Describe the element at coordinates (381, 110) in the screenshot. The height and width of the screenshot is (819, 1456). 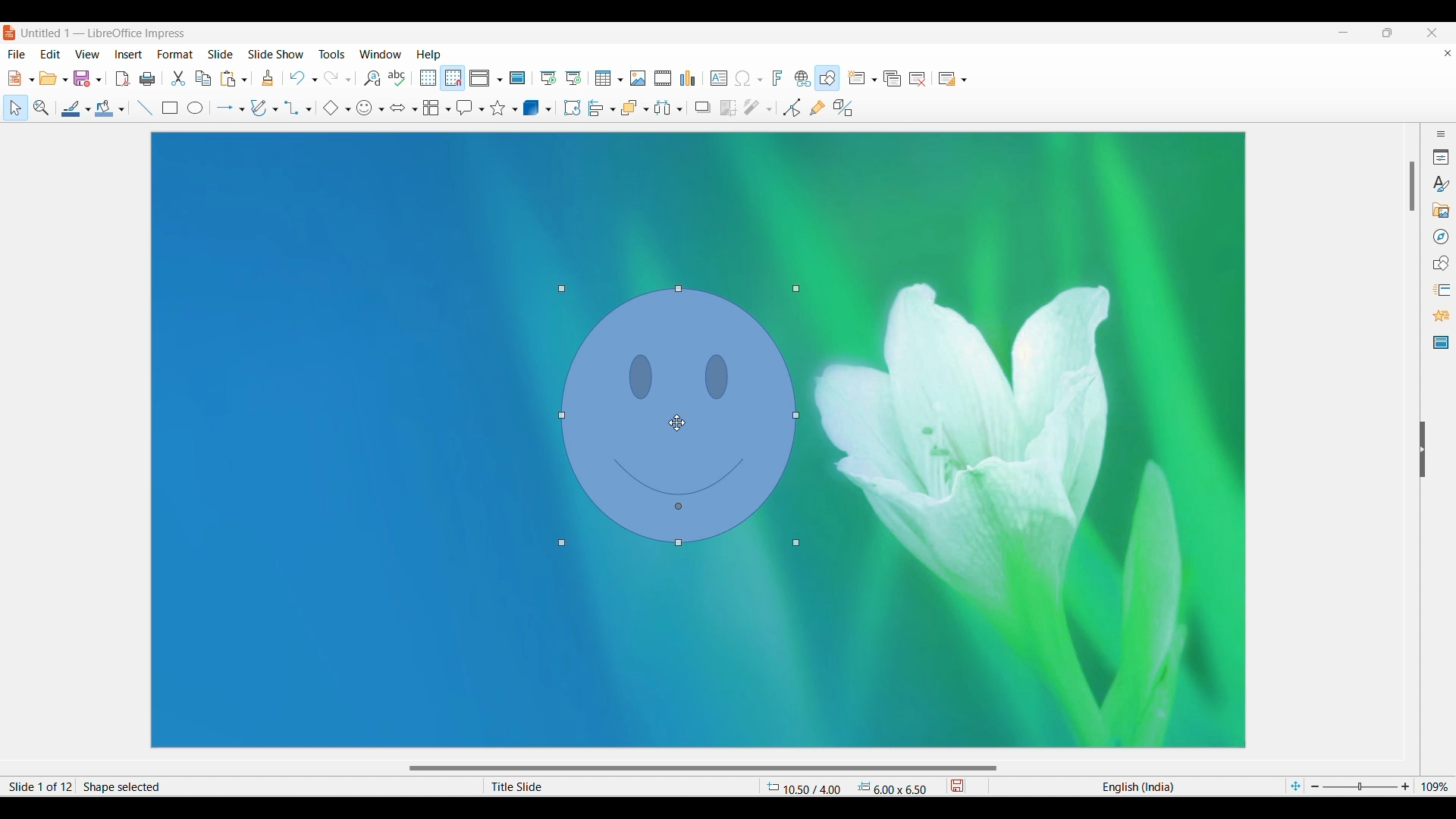
I see `Symbol options` at that location.